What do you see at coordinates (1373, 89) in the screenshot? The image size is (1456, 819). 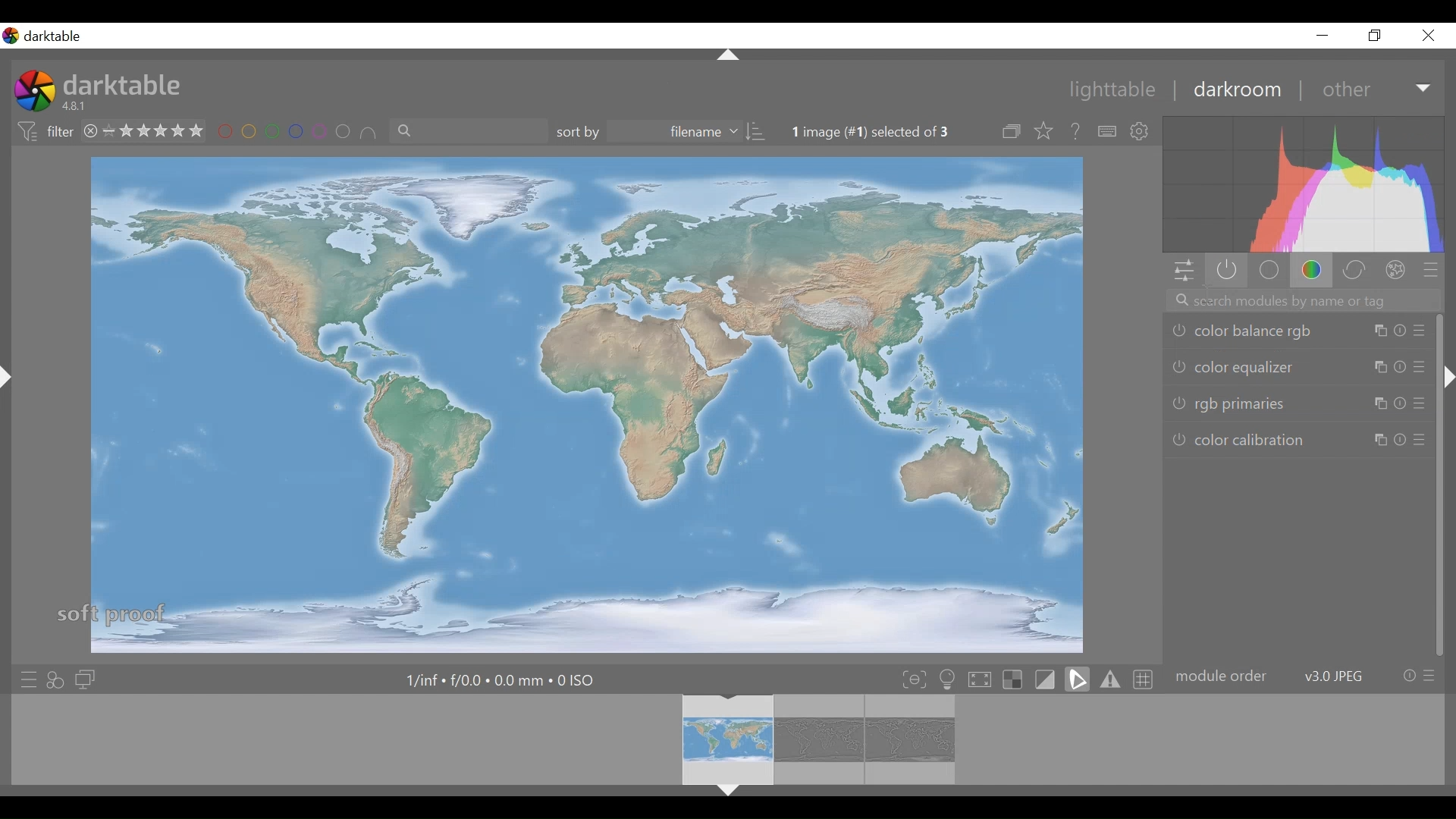 I see `other` at bounding box center [1373, 89].